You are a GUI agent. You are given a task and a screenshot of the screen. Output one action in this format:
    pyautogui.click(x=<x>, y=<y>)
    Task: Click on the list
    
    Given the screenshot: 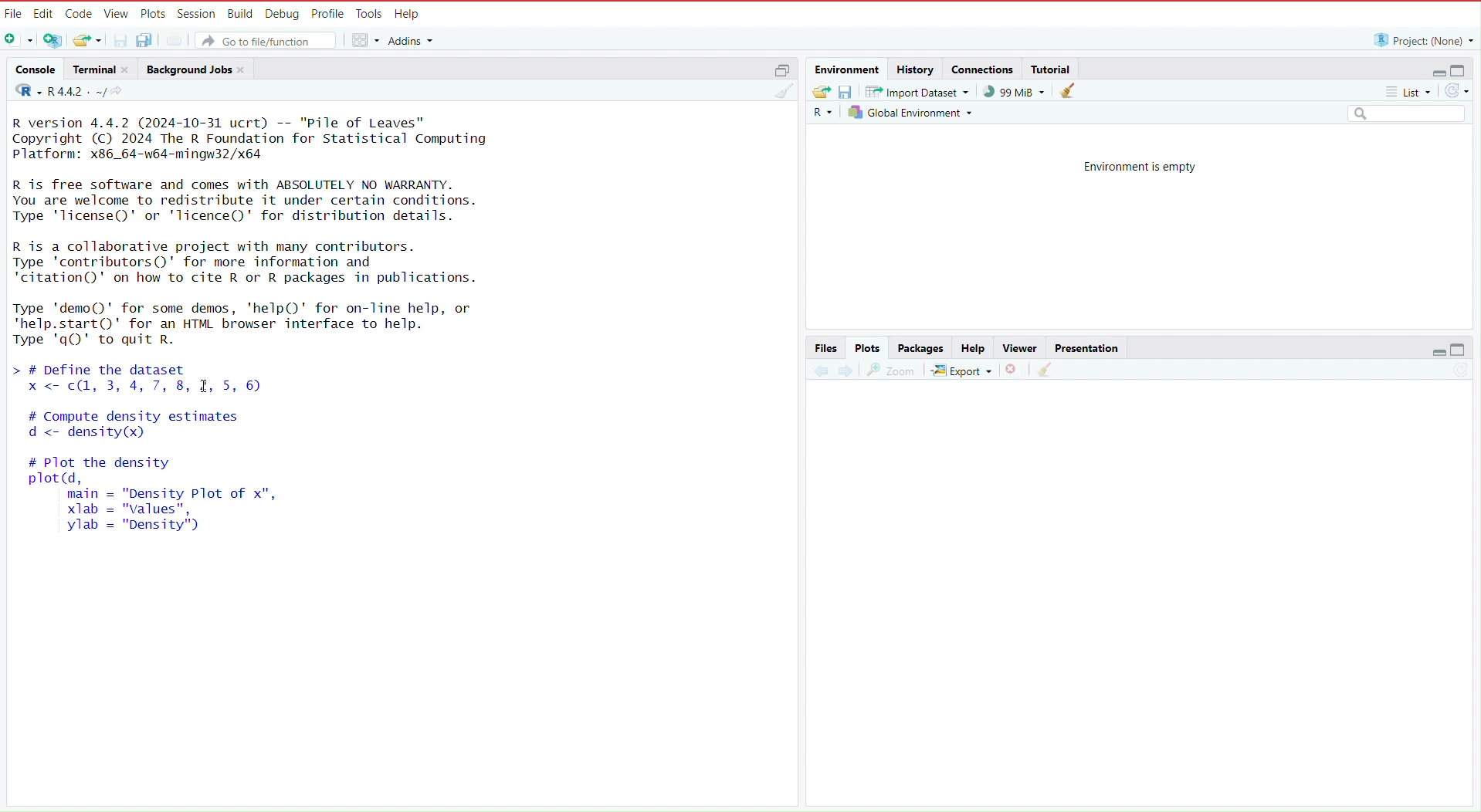 What is the action you would take?
    pyautogui.click(x=1412, y=93)
    